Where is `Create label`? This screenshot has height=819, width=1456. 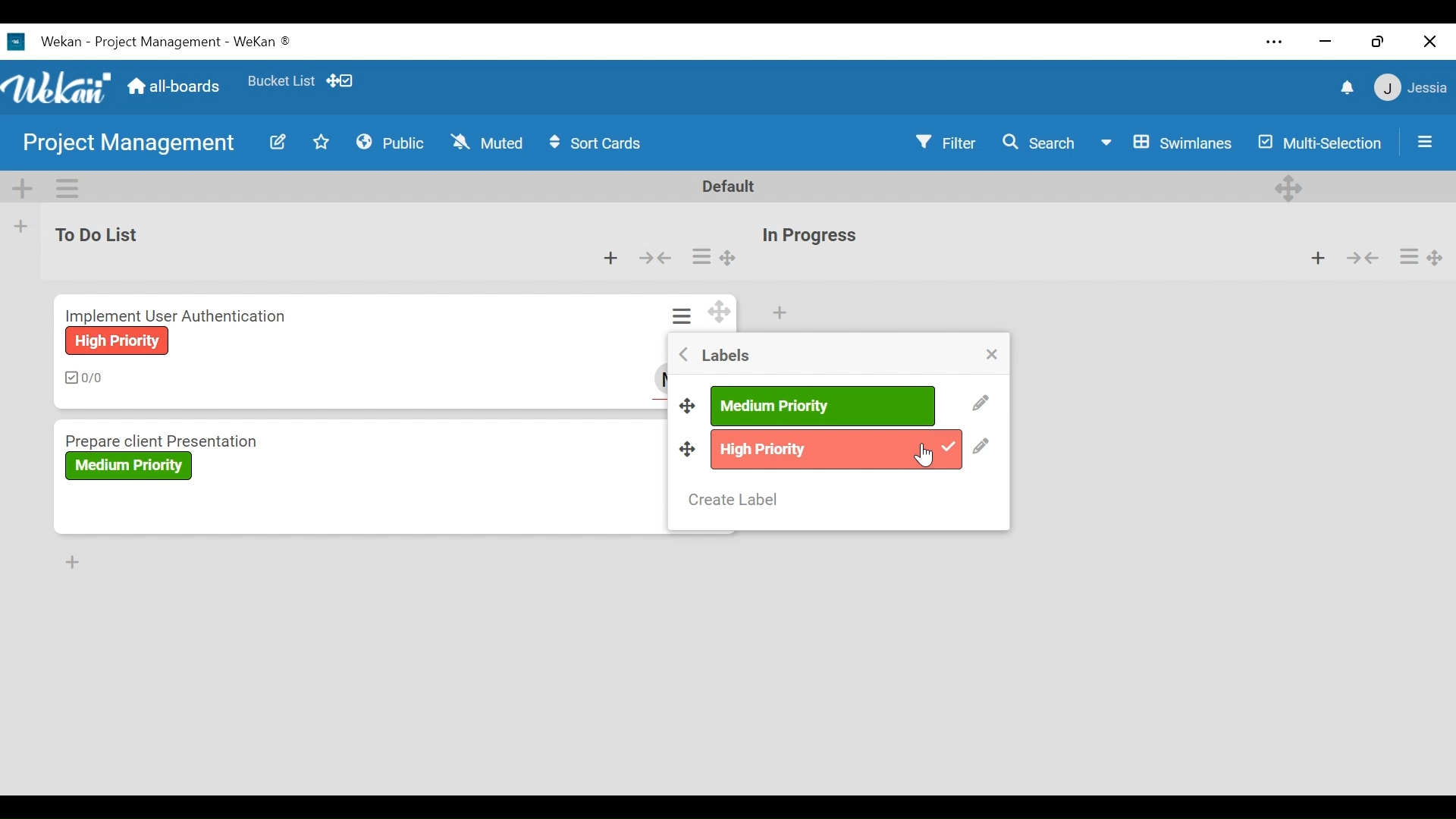 Create label is located at coordinates (736, 499).